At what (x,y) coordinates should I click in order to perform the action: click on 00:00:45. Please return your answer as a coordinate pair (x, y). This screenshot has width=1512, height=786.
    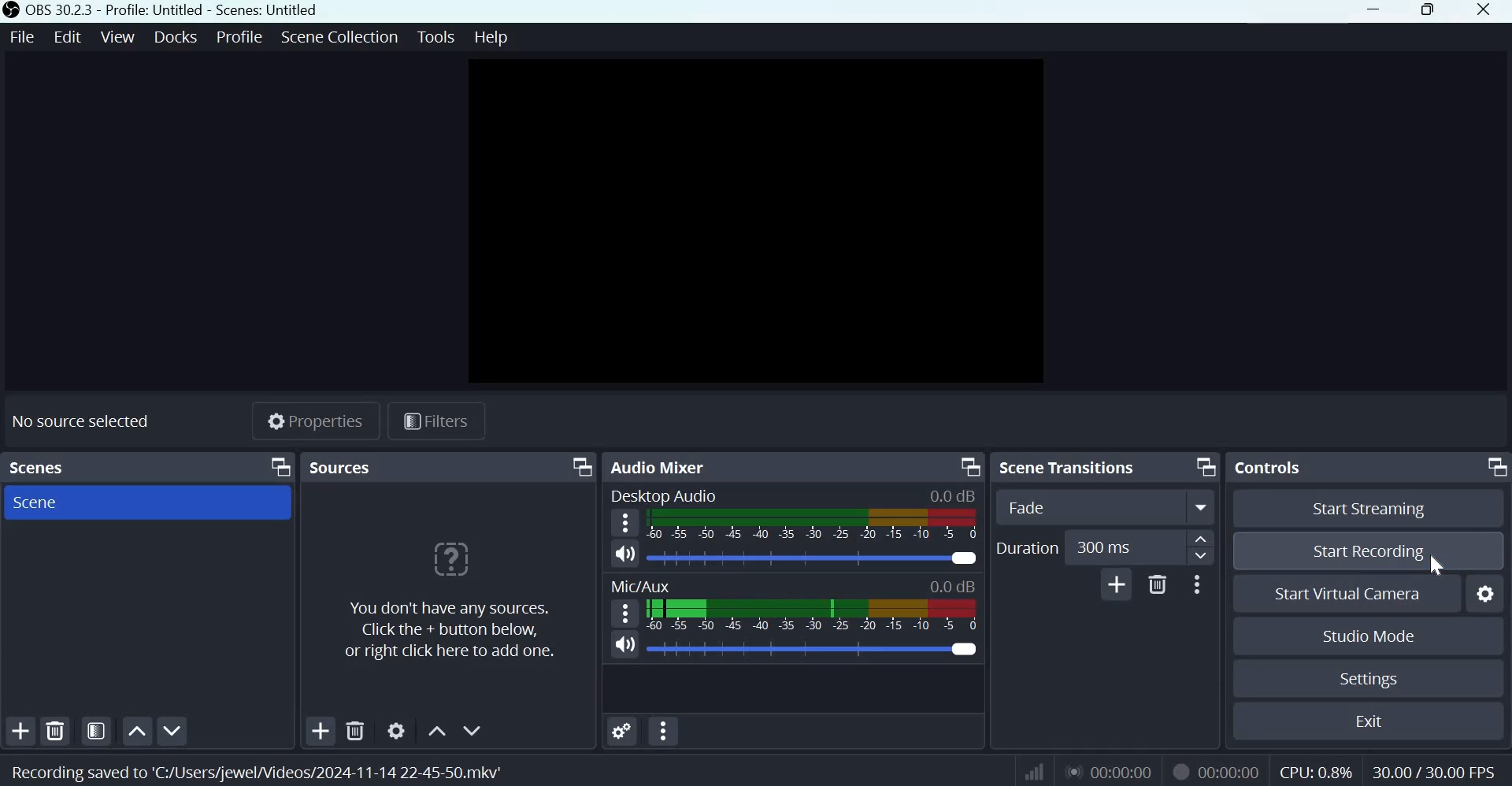
    Looking at the image, I should click on (1232, 771).